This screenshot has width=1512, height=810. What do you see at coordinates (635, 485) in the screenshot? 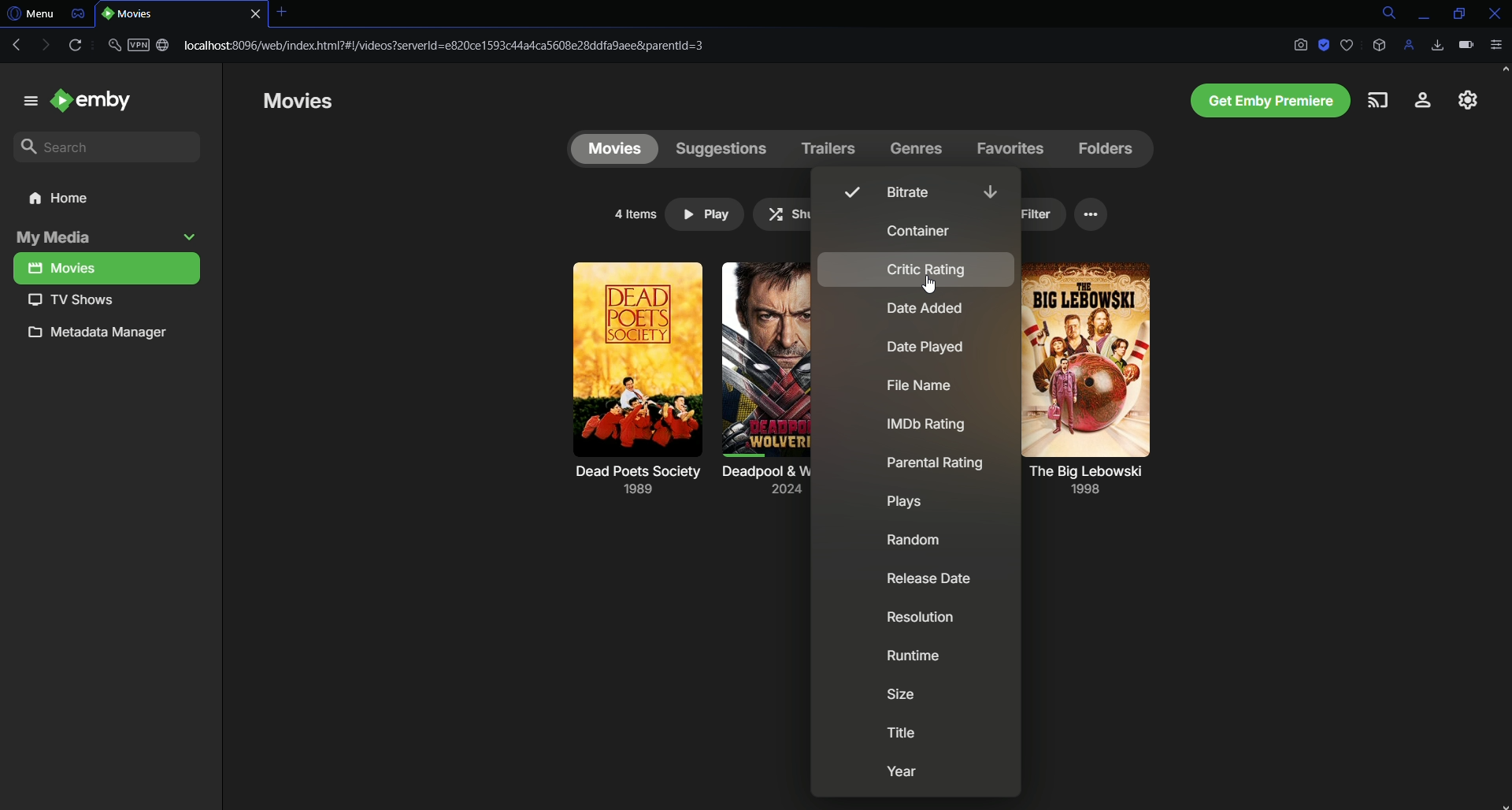
I see `Dead Poets Society` at bounding box center [635, 485].